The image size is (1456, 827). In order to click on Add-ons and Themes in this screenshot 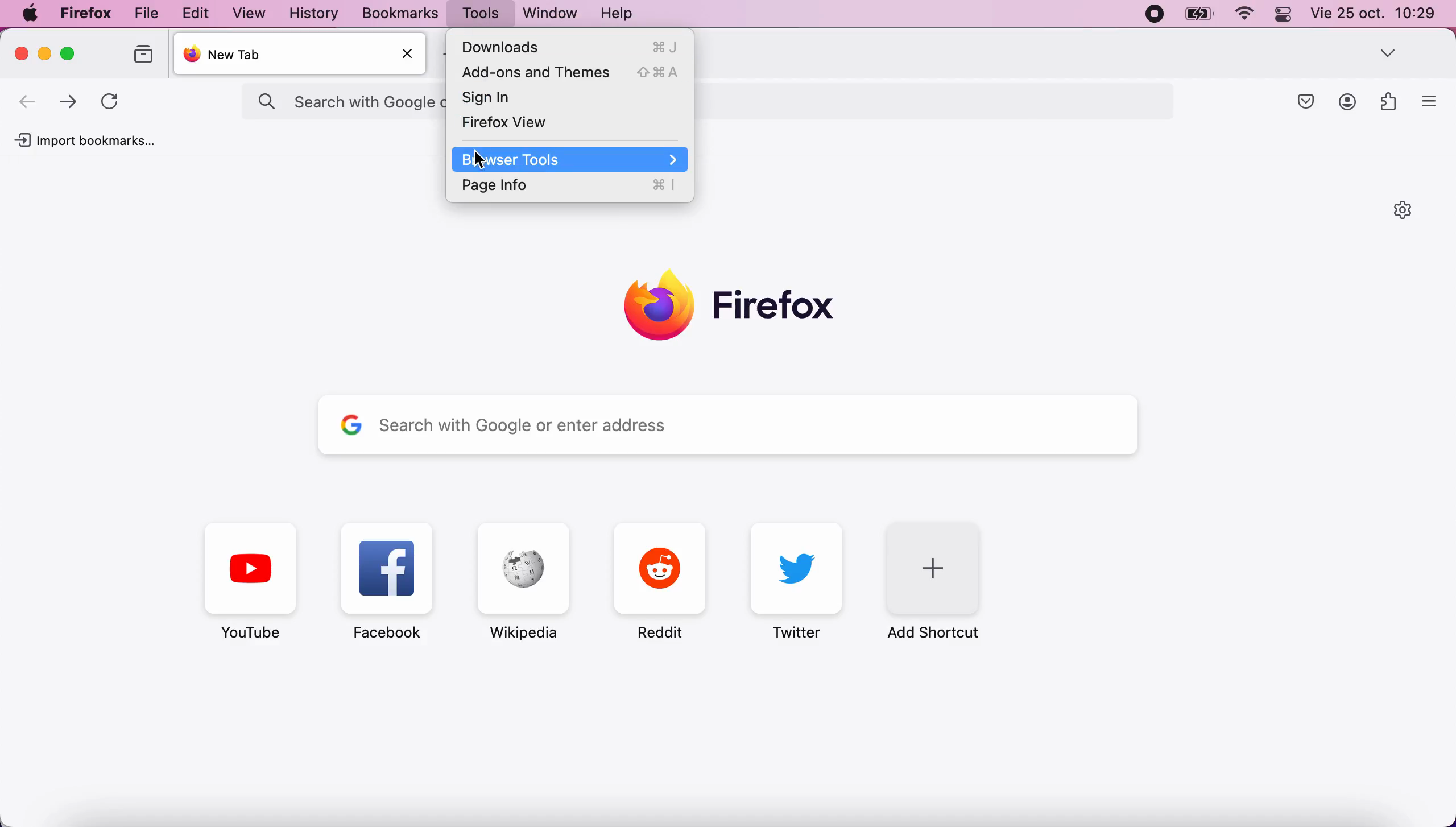, I will do `click(570, 72)`.